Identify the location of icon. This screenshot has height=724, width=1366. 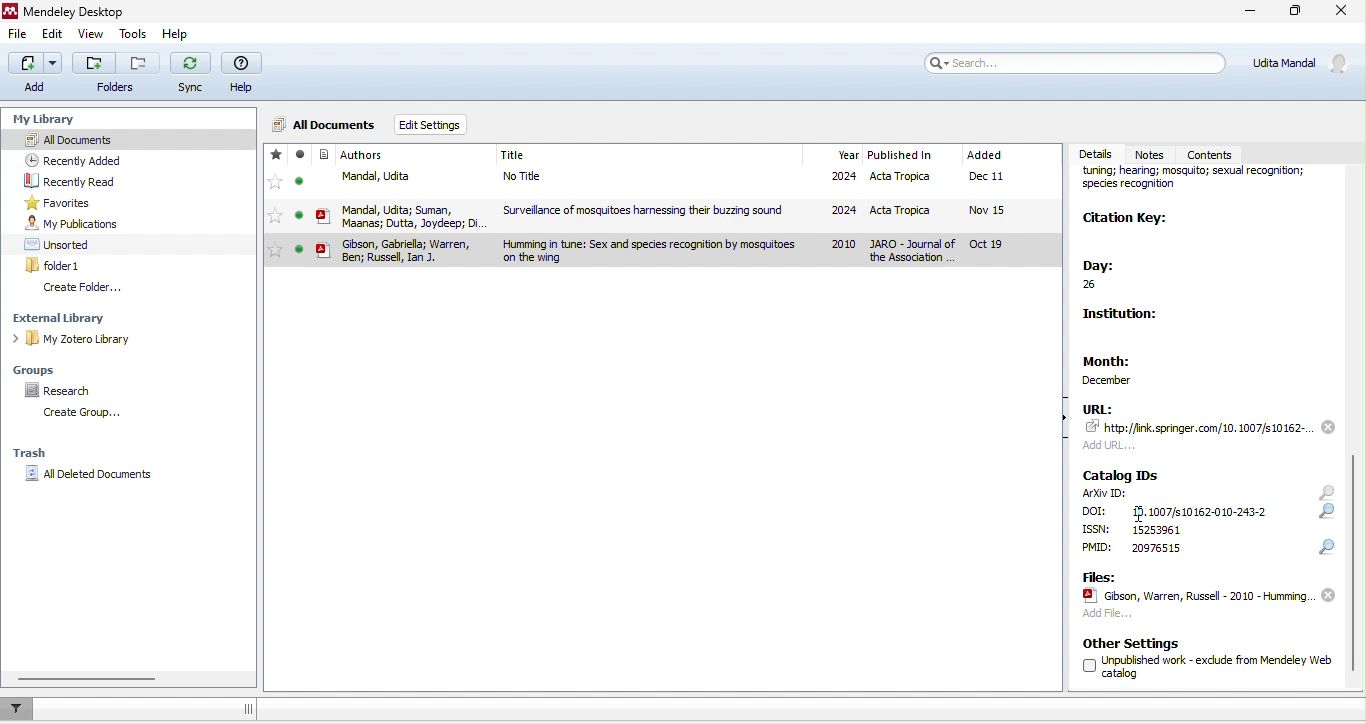
(324, 187).